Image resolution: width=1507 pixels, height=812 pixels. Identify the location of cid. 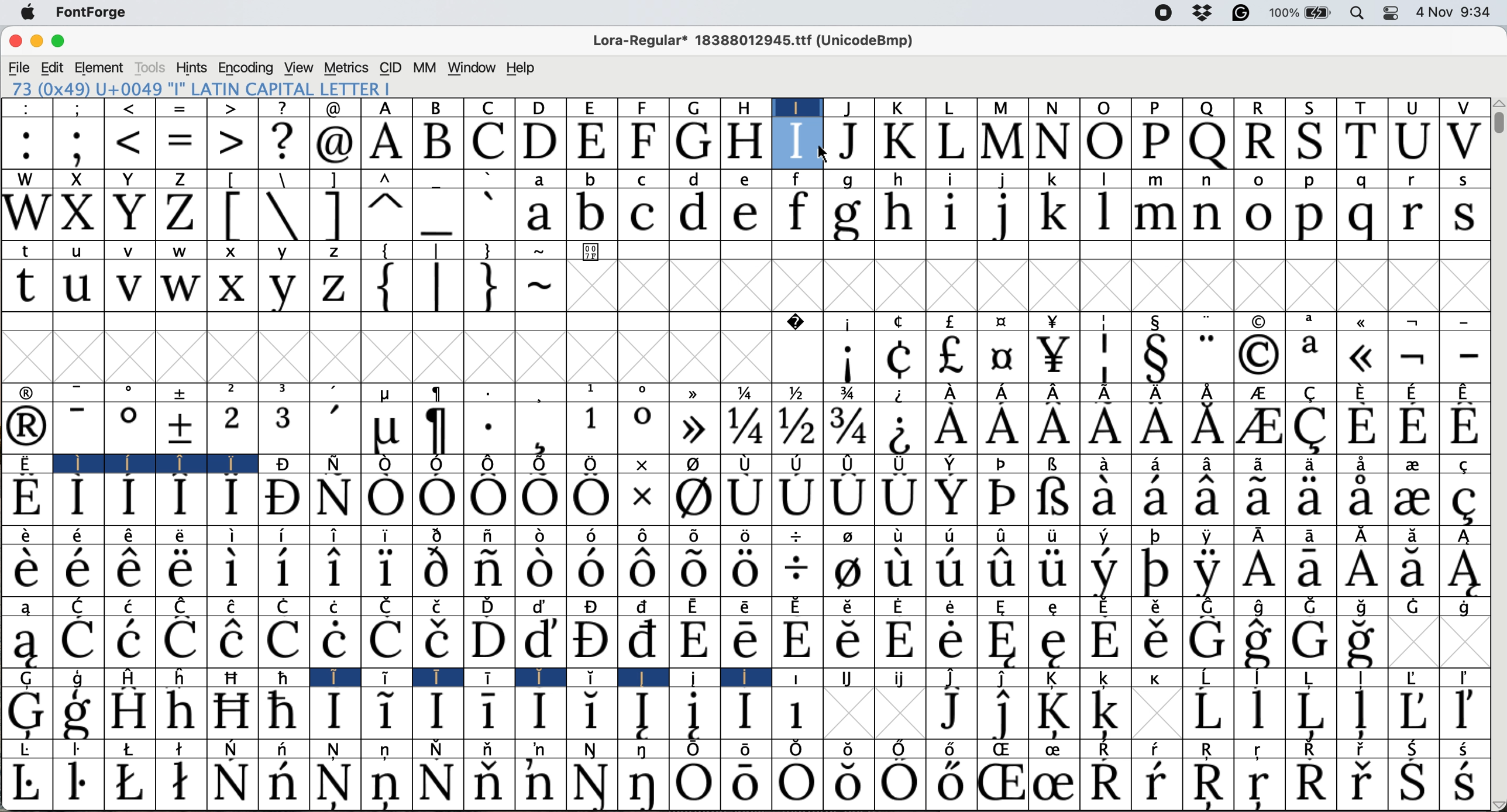
(389, 67).